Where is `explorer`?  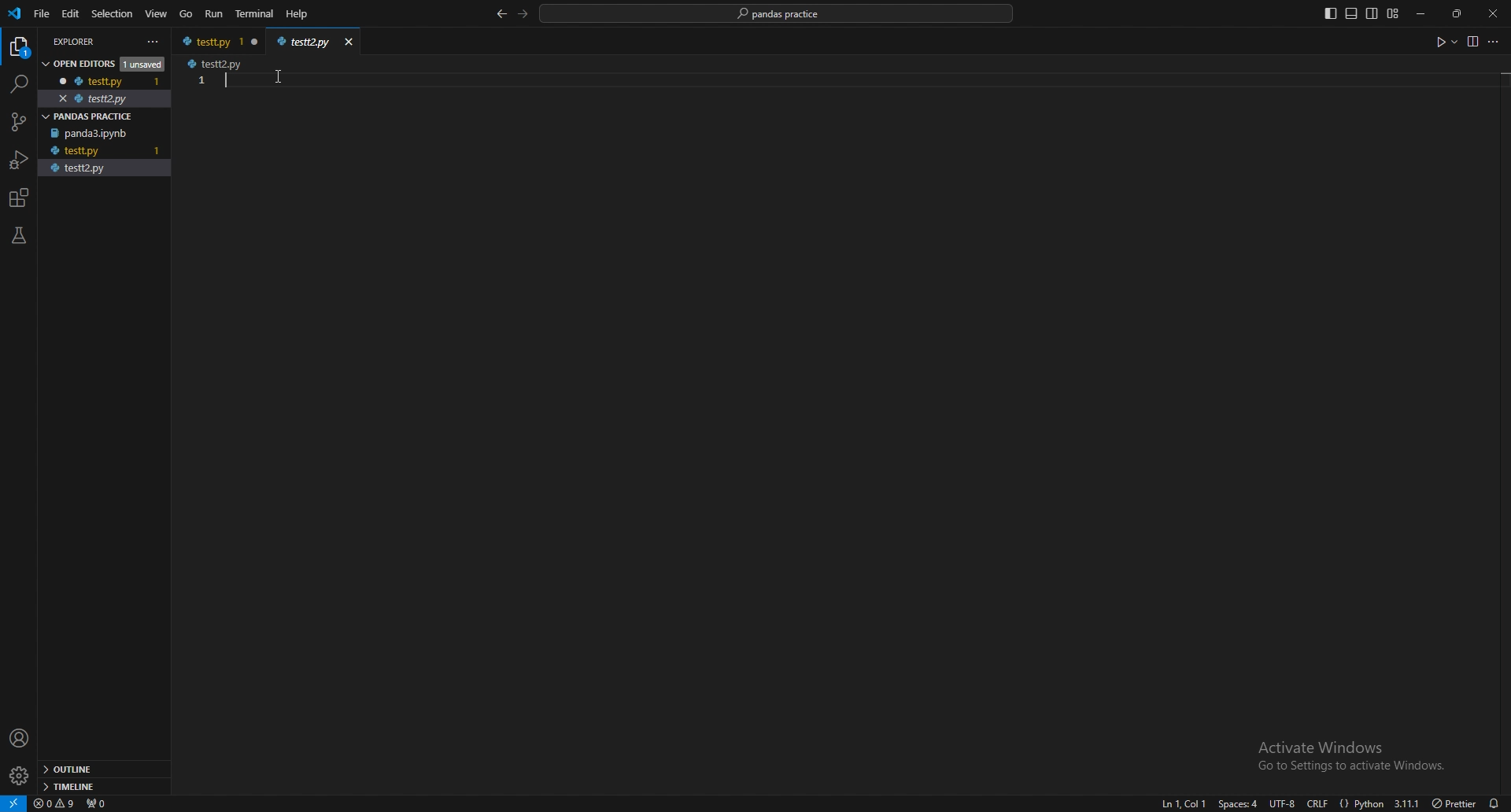 explorer is located at coordinates (20, 47).